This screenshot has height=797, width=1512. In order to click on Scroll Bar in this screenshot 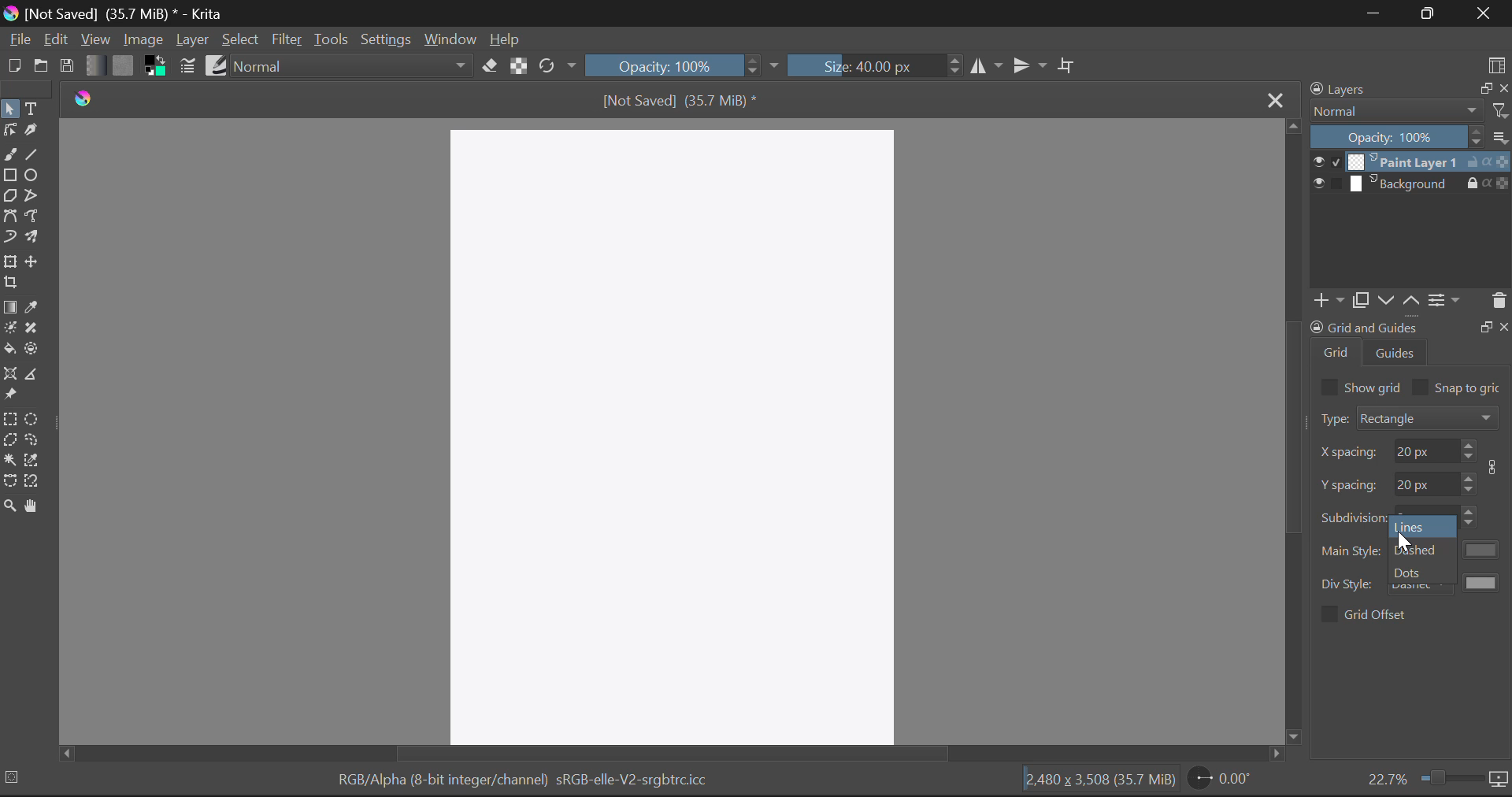, I will do `click(1293, 434)`.